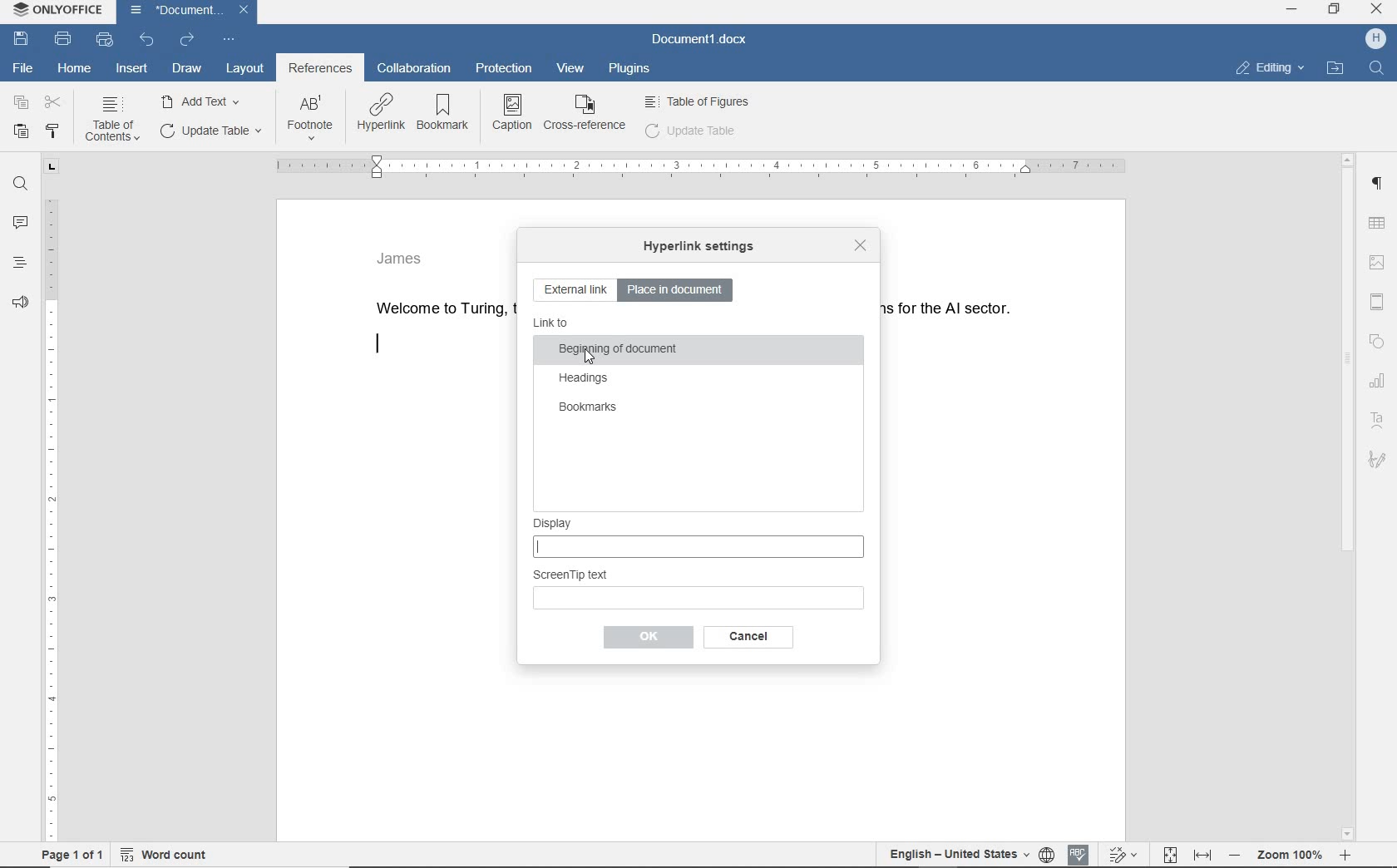 Image resolution: width=1397 pixels, height=868 pixels. What do you see at coordinates (1380, 222) in the screenshot?
I see `table` at bounding box center [1380, 222].